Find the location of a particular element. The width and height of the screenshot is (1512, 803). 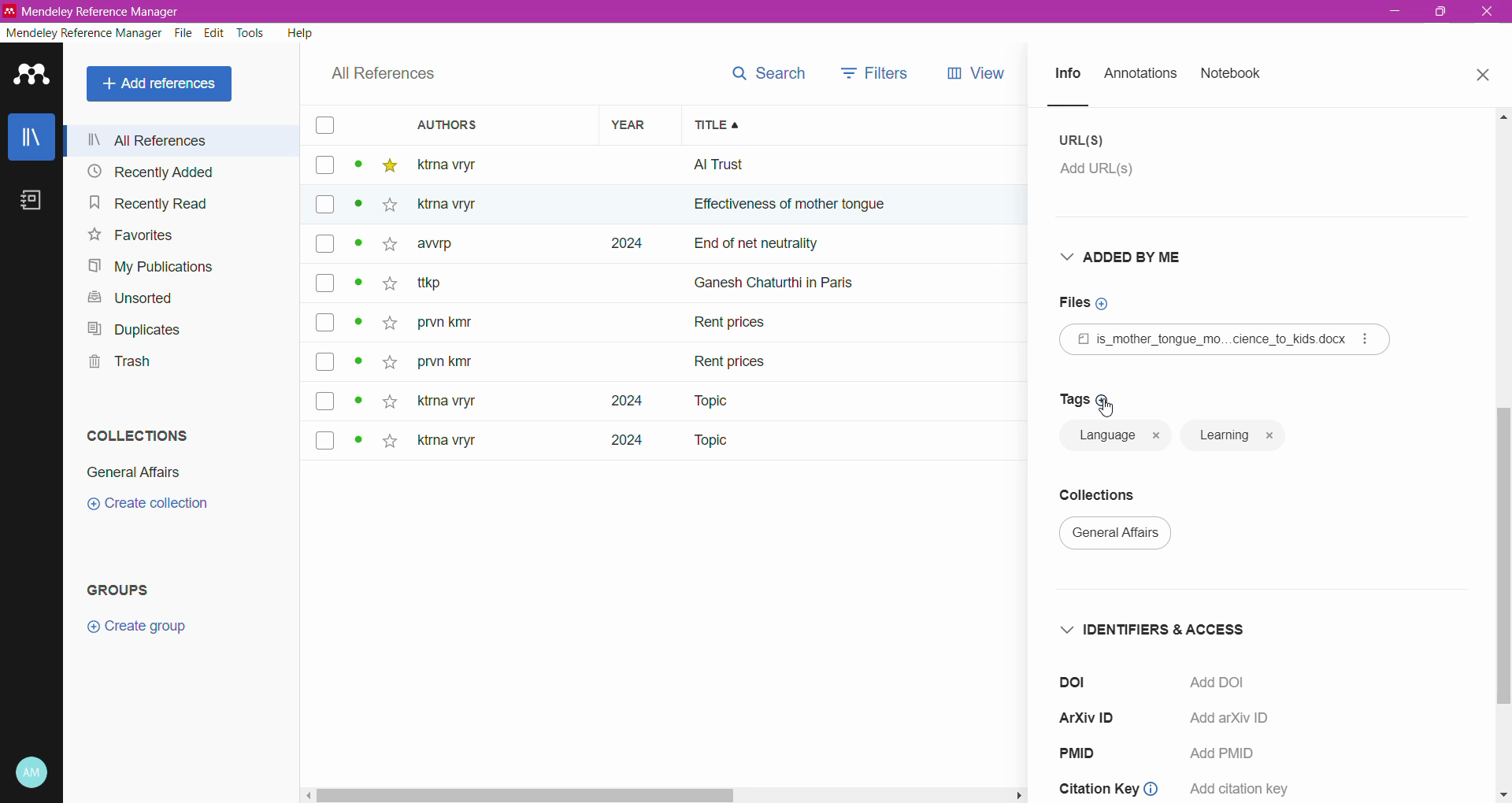

2024 is located at coordinates (617, 446).